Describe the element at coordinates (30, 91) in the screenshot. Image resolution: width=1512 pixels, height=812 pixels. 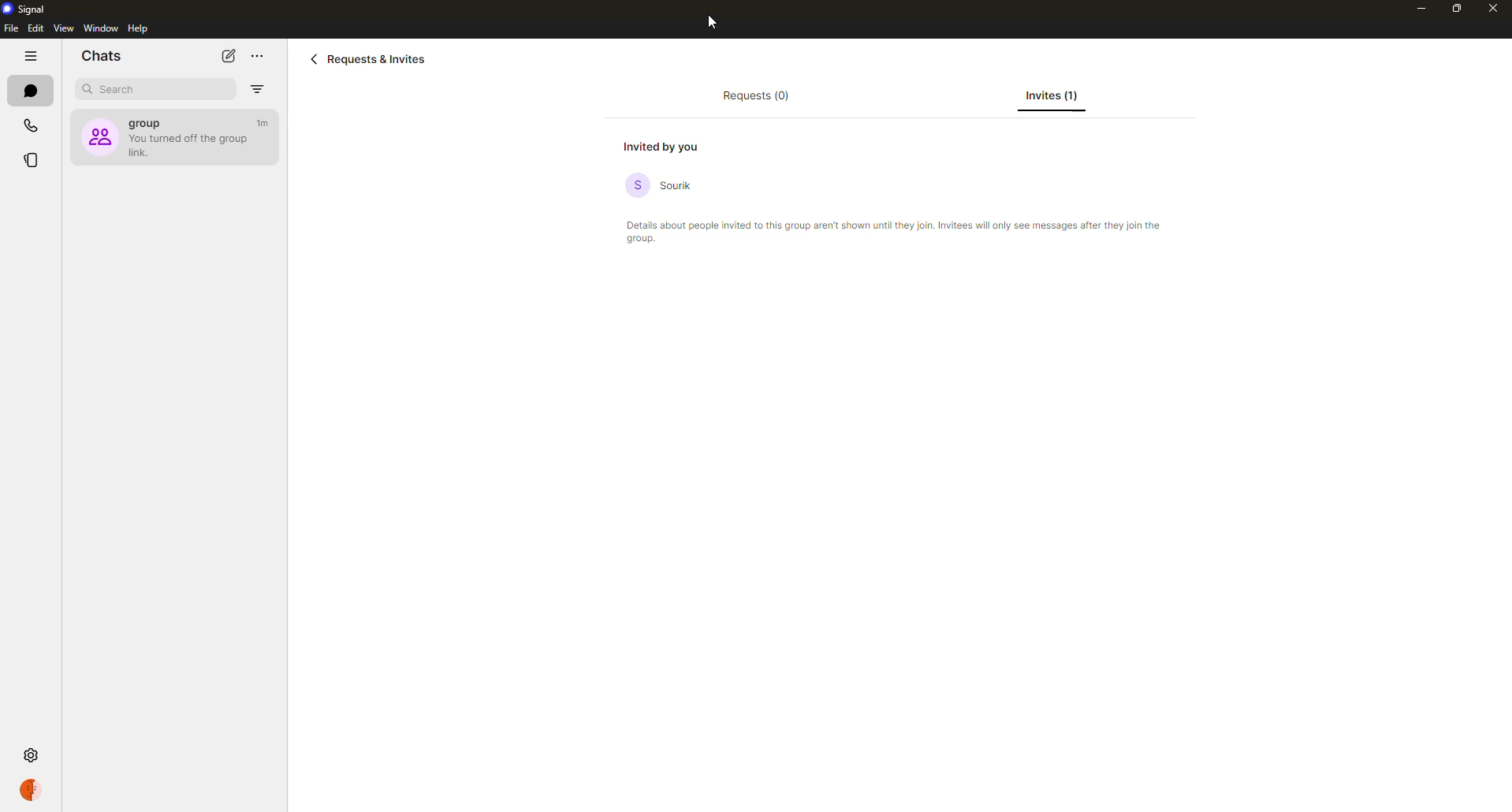
I see `chats` at that location.